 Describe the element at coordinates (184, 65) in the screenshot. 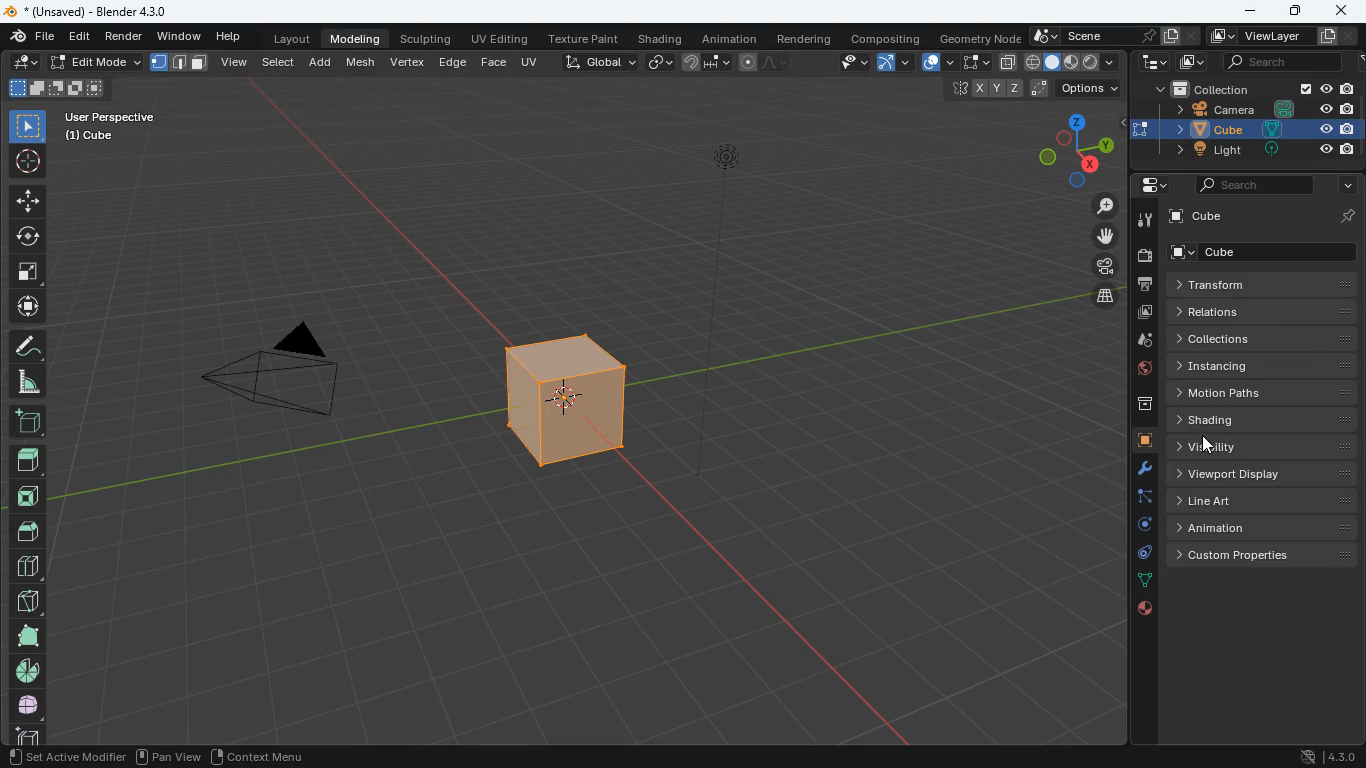

I see `format` at that location.